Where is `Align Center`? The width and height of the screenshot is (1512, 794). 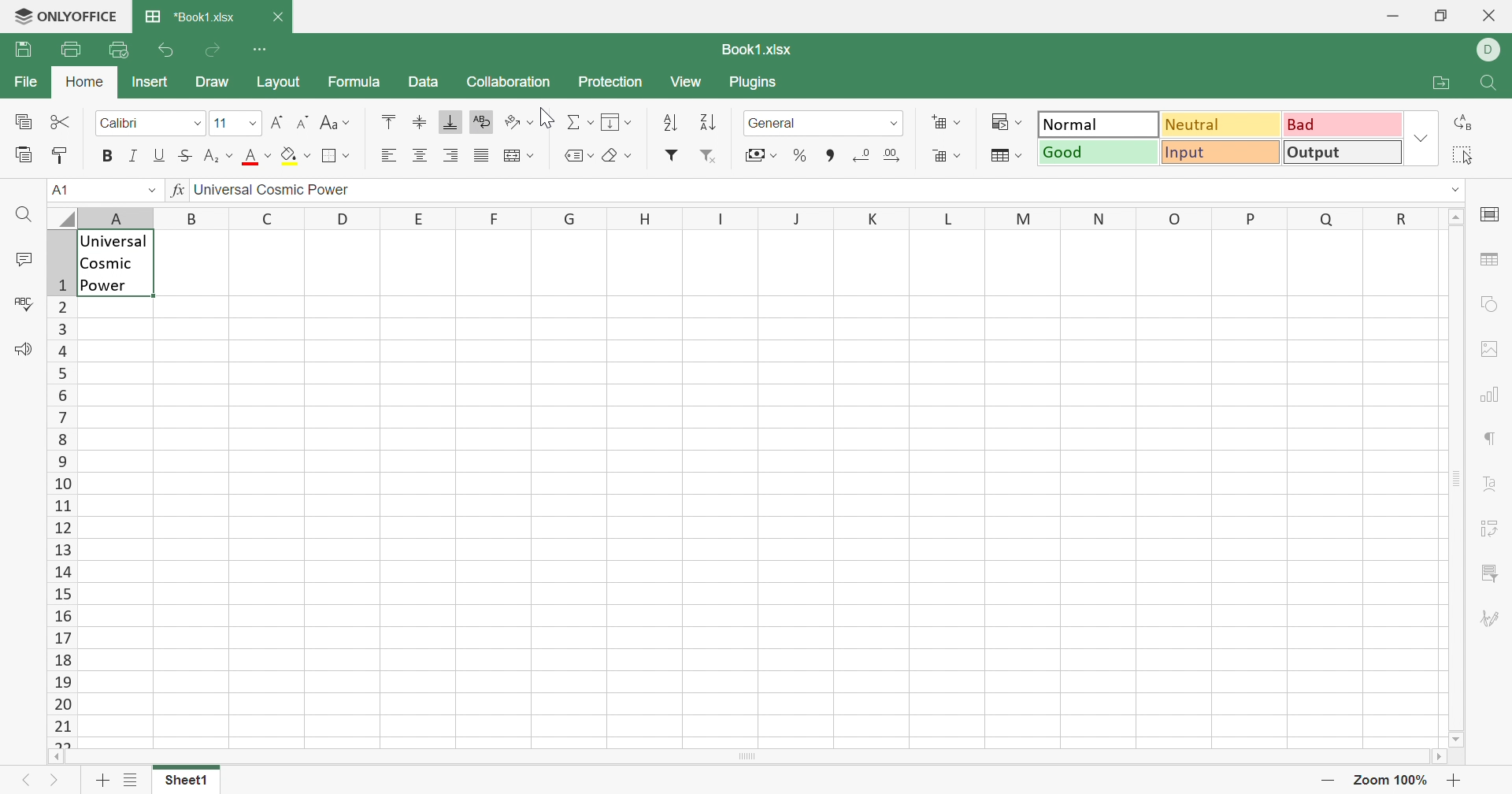 Align Center is located at coordinates (420, 156).